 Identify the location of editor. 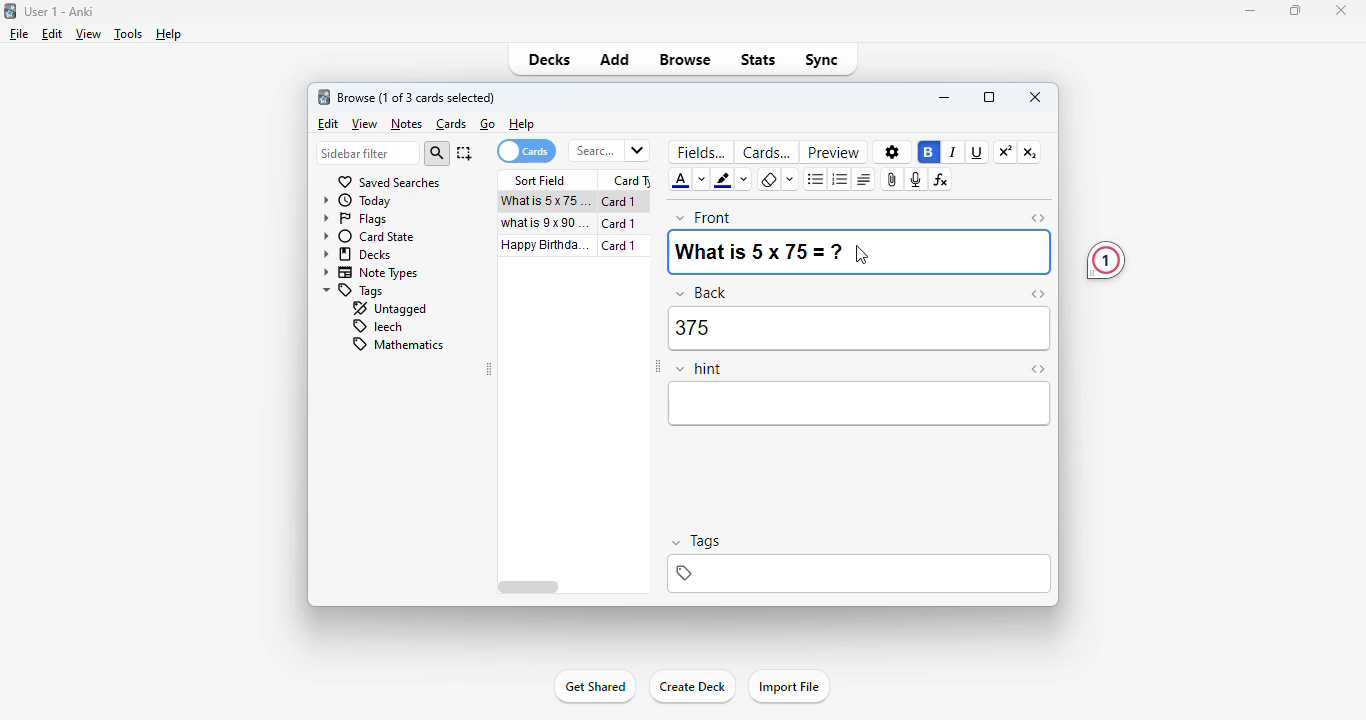
(860, 404).